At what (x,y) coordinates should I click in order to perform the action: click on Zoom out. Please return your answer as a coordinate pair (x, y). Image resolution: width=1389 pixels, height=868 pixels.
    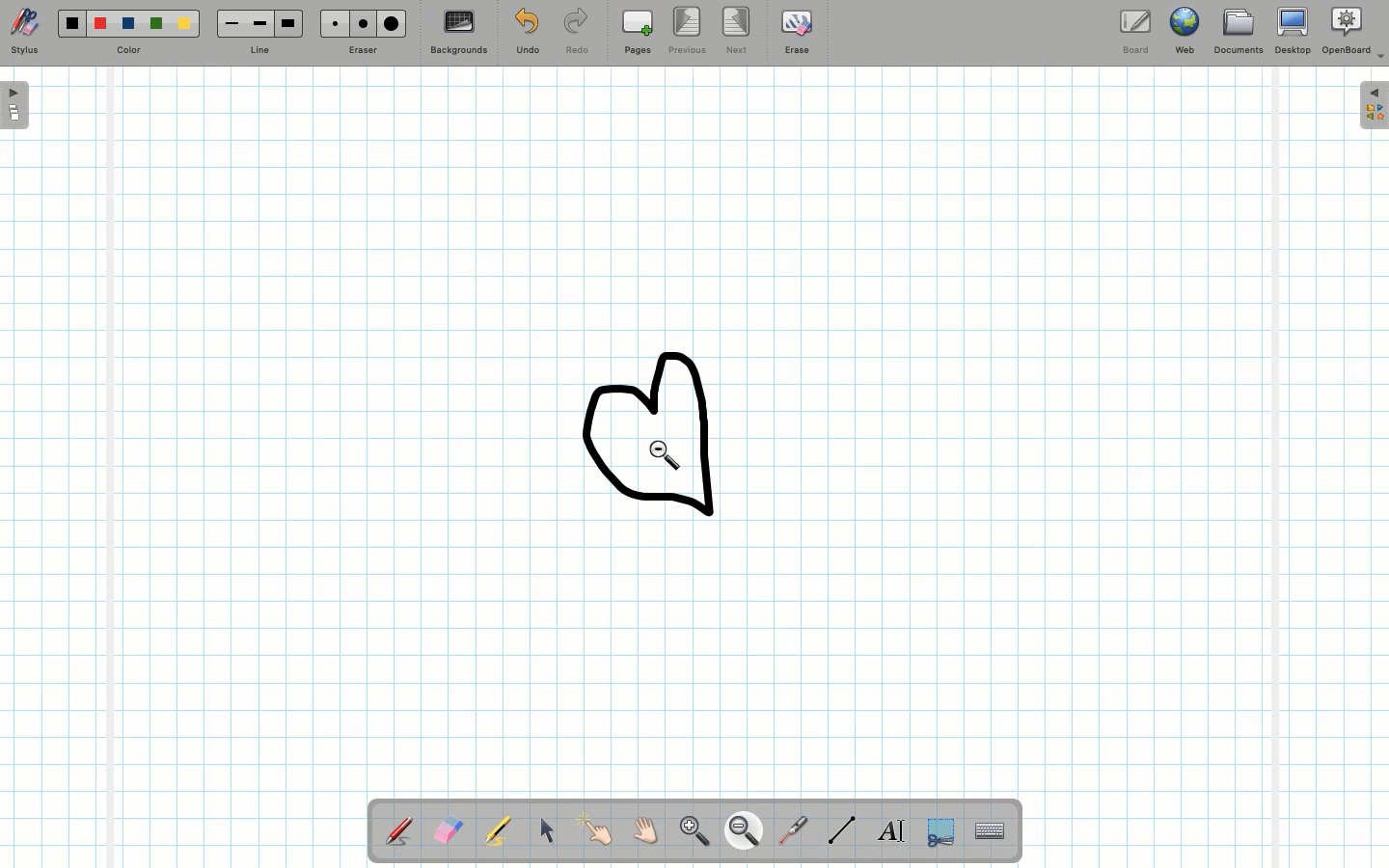
    Looking at the image, I should click on (744, 832).